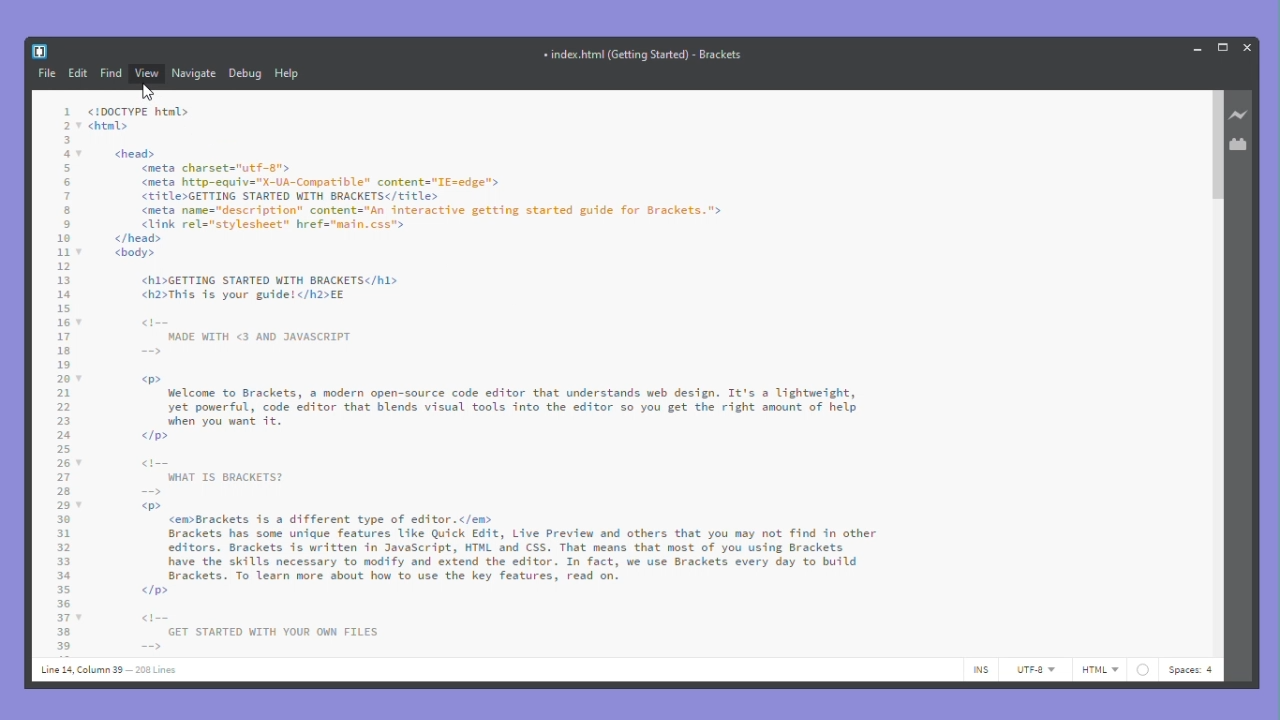  What do you see at coordinates (1193, 669) in the screenshot?
I see `Spaces: 4` at bounding box center [1193, 669].